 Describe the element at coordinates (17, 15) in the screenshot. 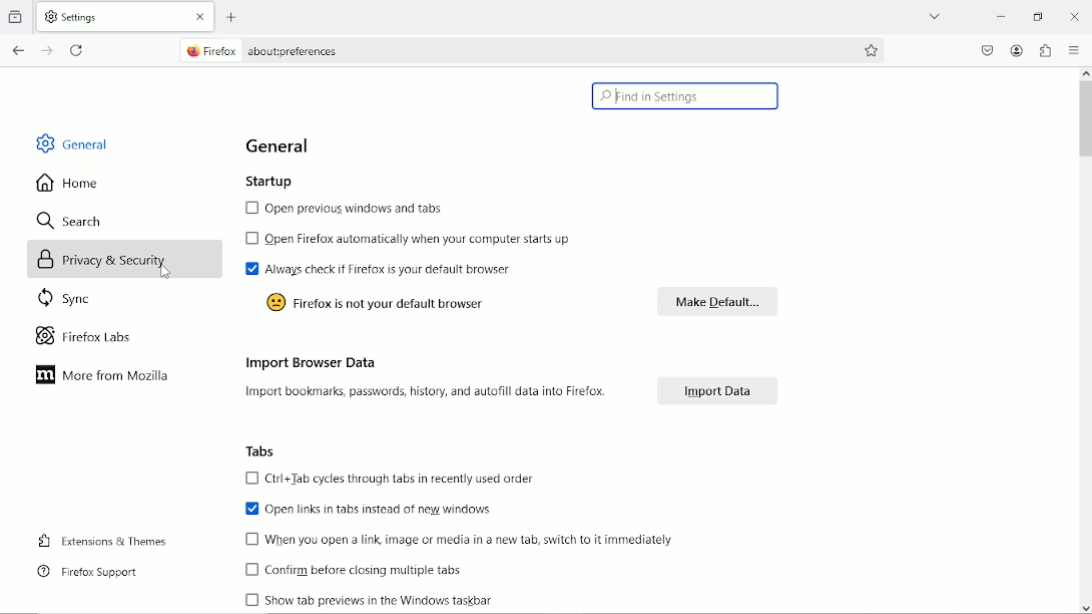

I see `view recent browsing` at that location.